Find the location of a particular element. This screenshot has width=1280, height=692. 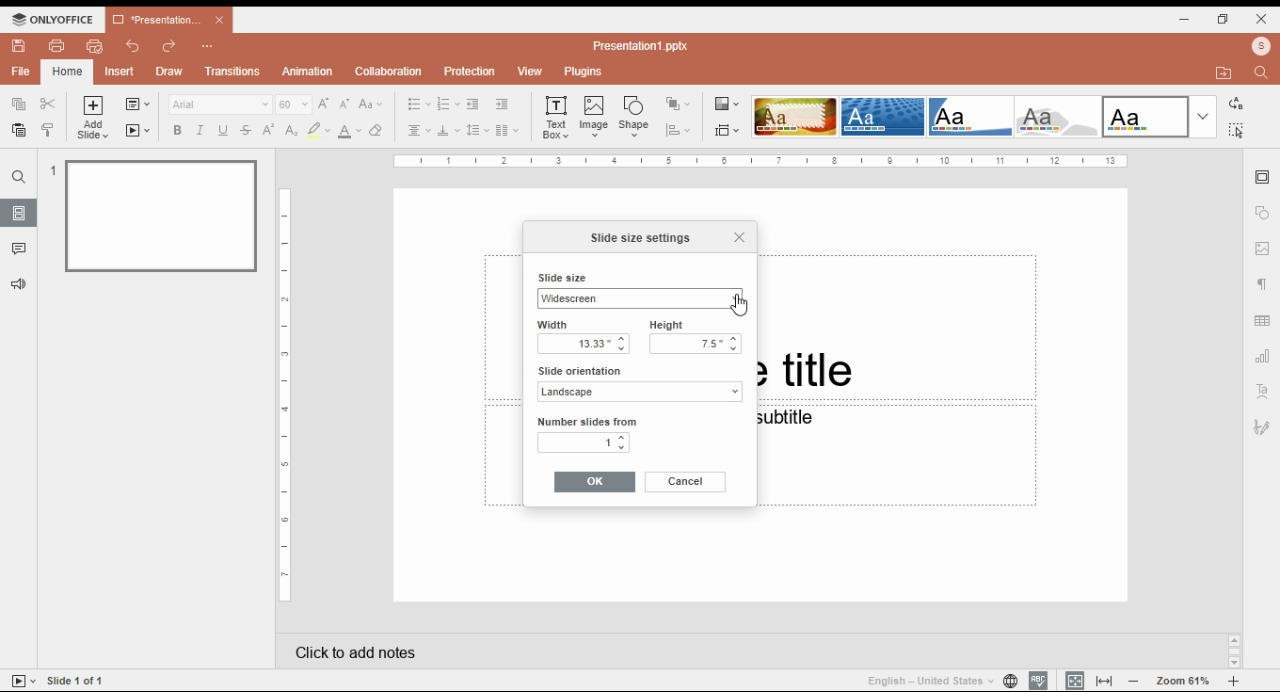

draw is located at coordinates (171, 71).